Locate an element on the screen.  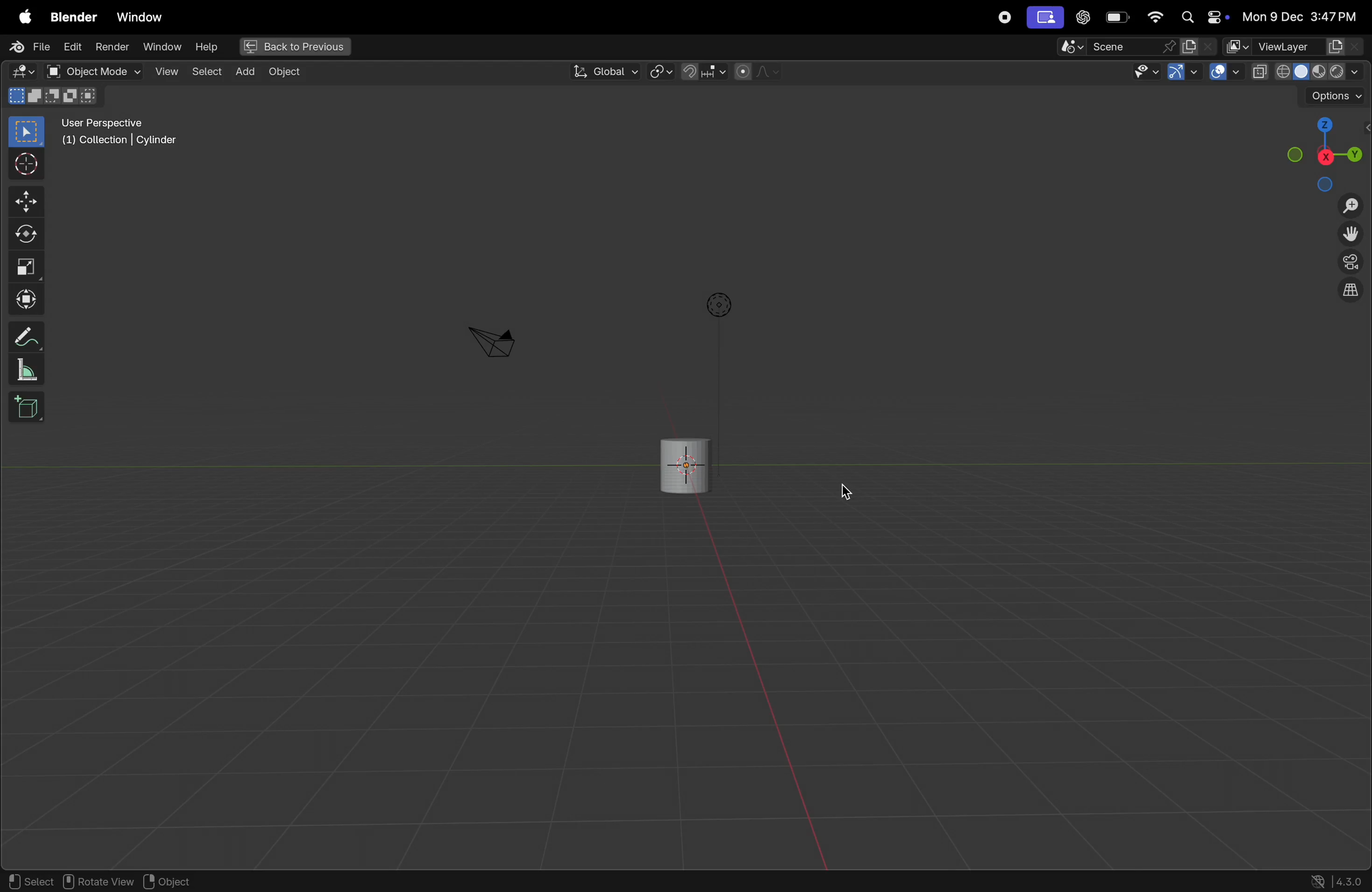
wifi is located at coordinates (1155, 17).